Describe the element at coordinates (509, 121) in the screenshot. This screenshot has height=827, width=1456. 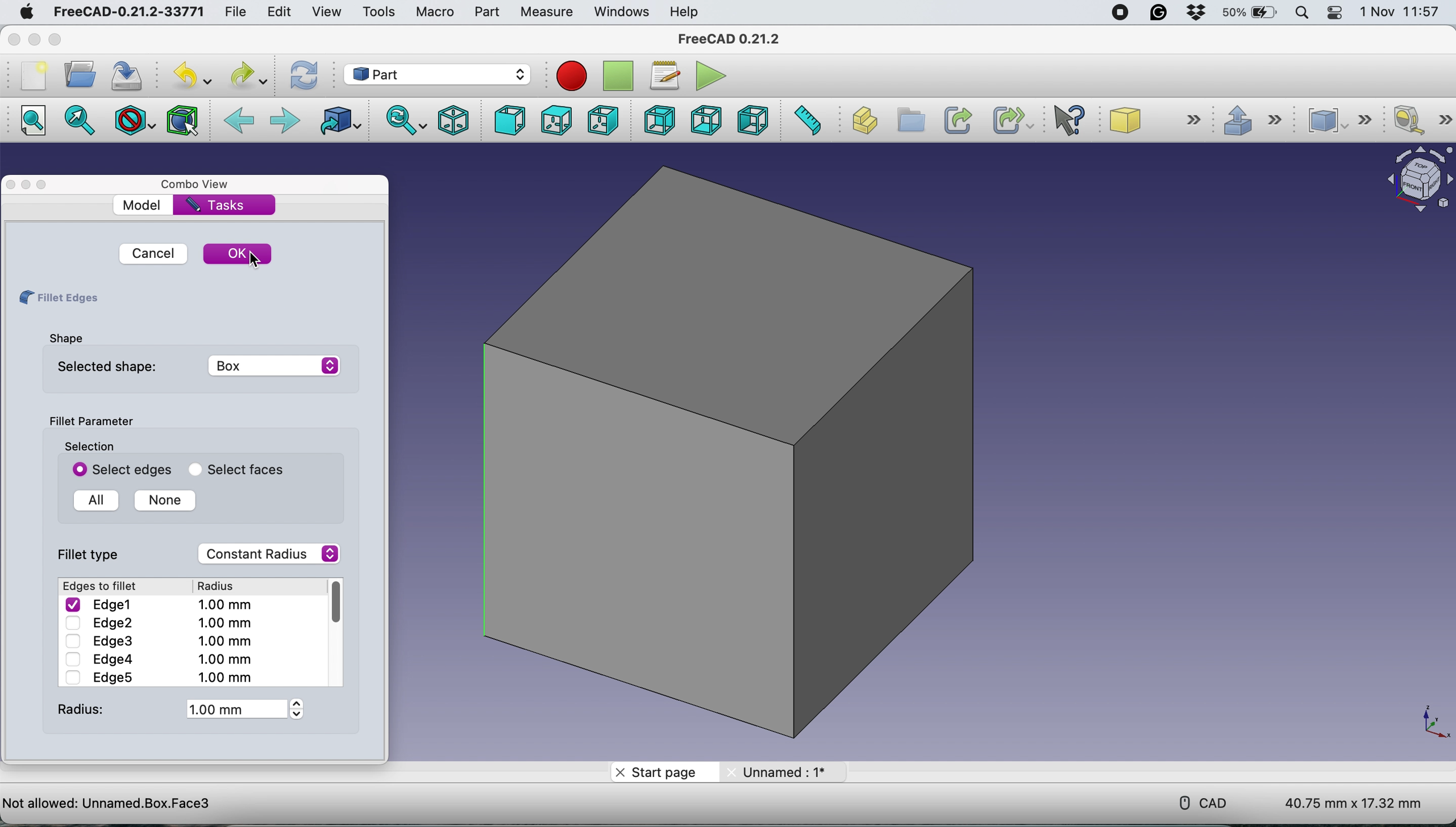
I see `front` at that location.